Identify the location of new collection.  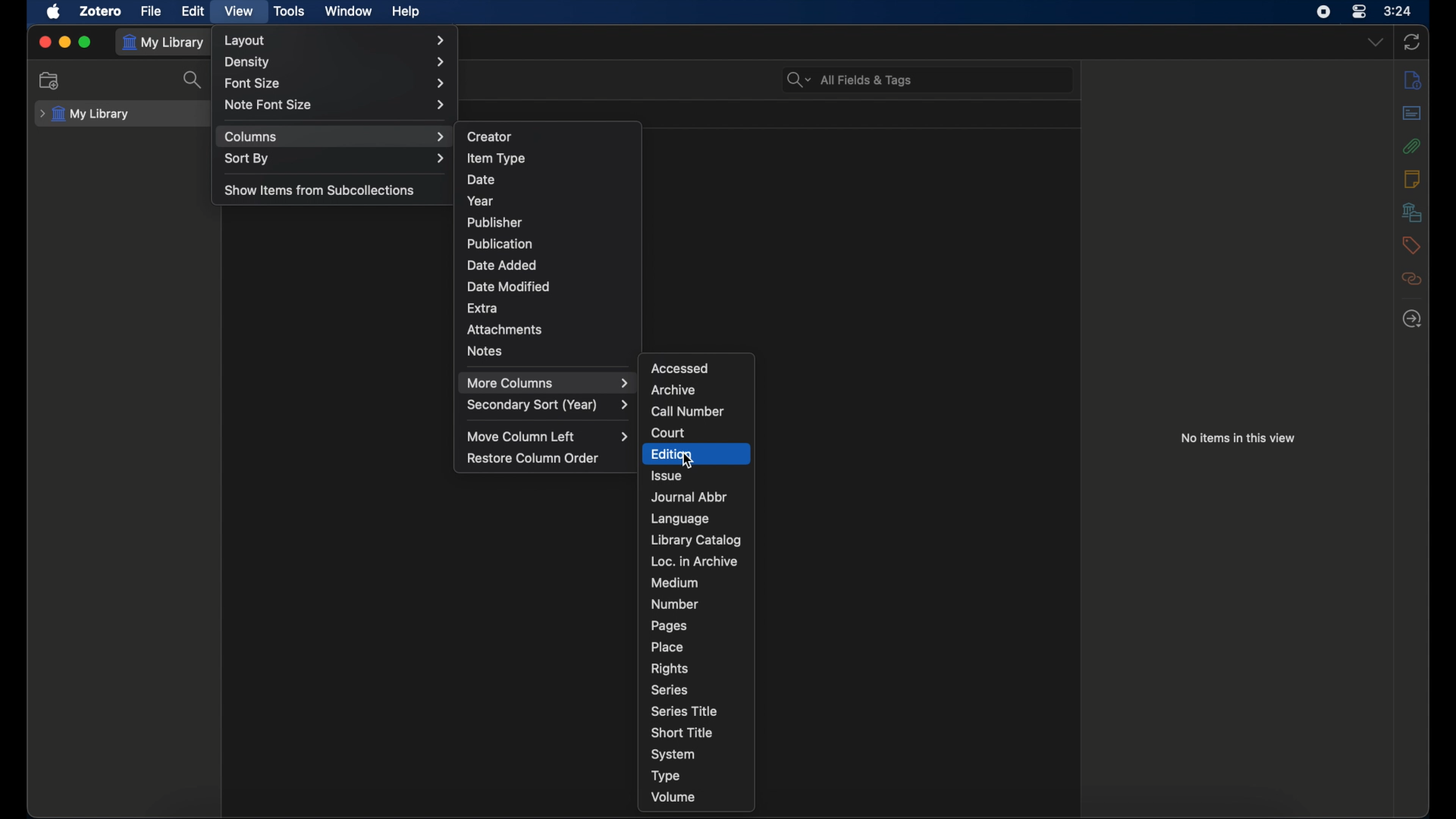
(51, 81).